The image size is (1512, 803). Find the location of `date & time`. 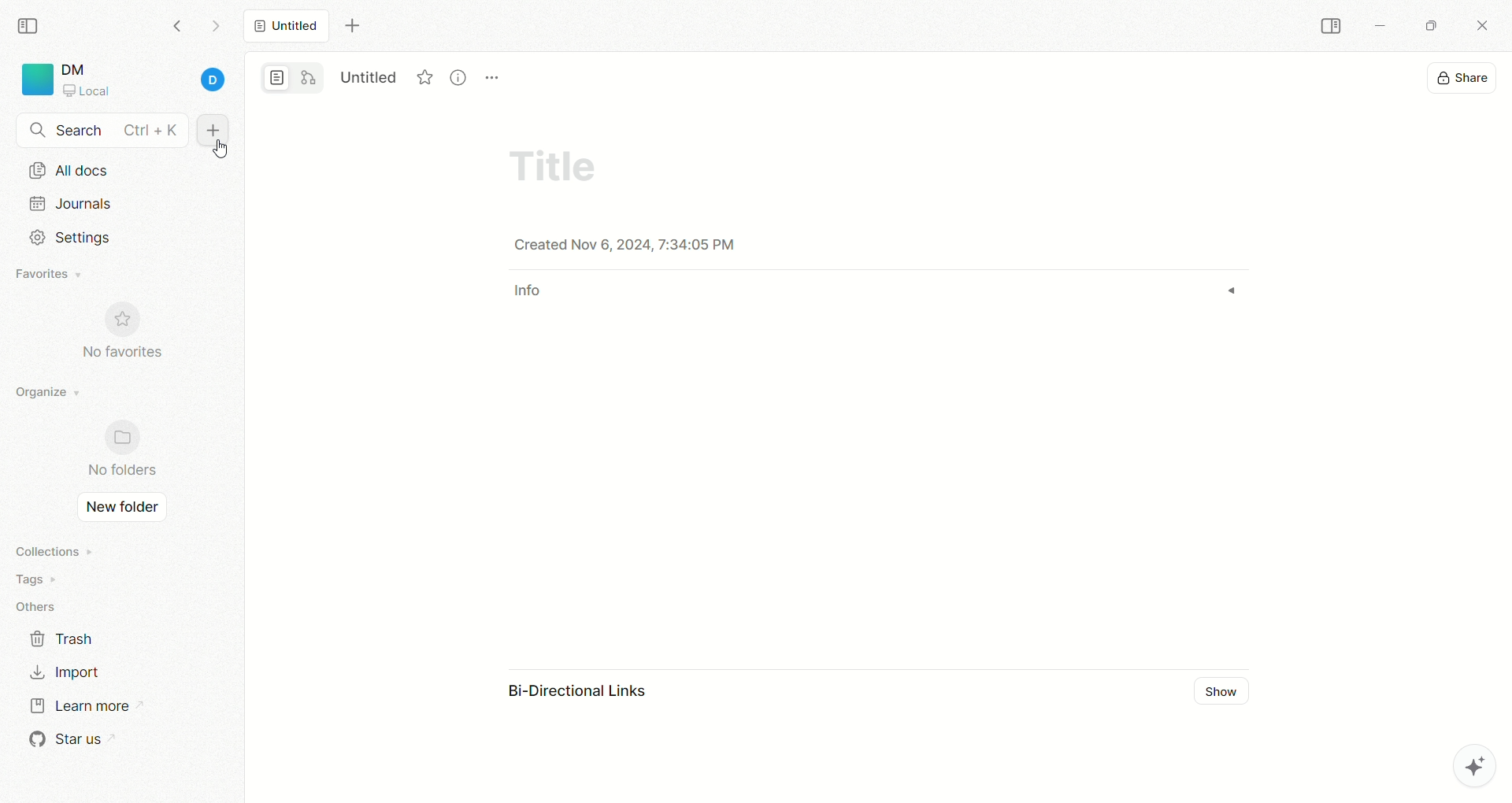

date & time is located at coordinates (646, 245).